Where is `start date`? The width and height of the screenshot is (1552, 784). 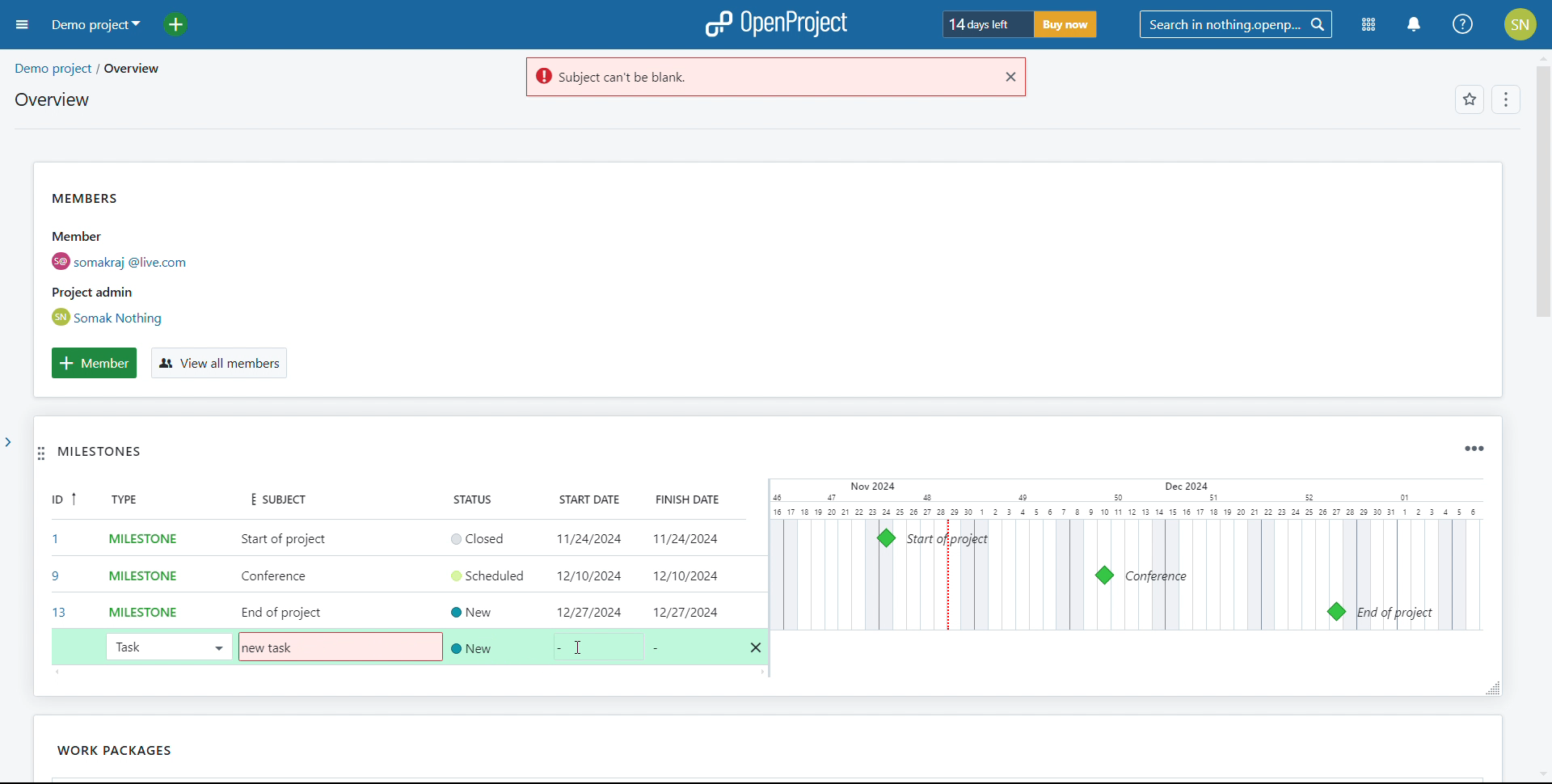 start date is located at coordinates (584, 500).